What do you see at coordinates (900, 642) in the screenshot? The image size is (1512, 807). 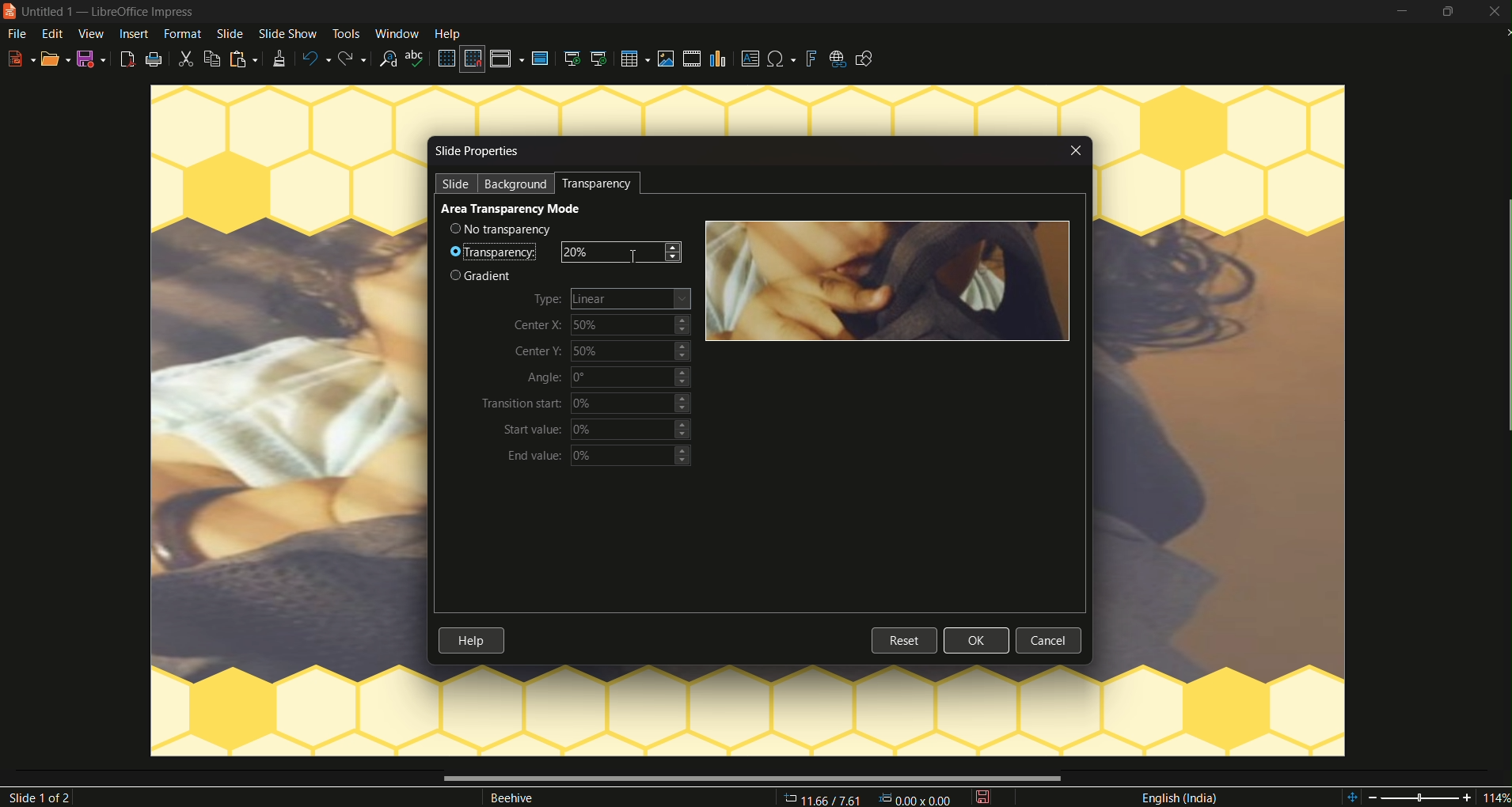 I see `reset` at bounding box center [900, 642].